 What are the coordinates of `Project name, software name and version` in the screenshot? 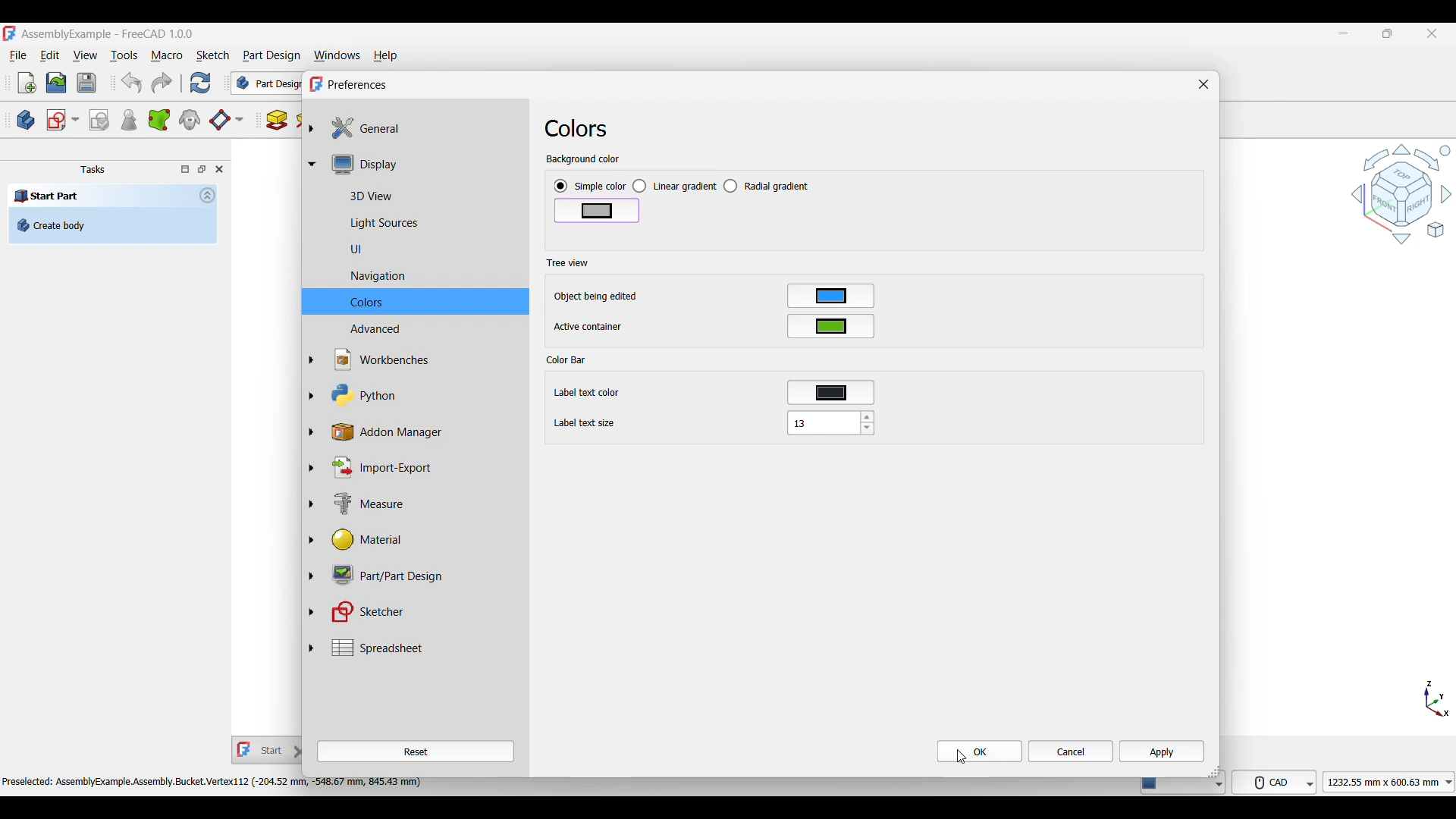 It's located at (108, 34).